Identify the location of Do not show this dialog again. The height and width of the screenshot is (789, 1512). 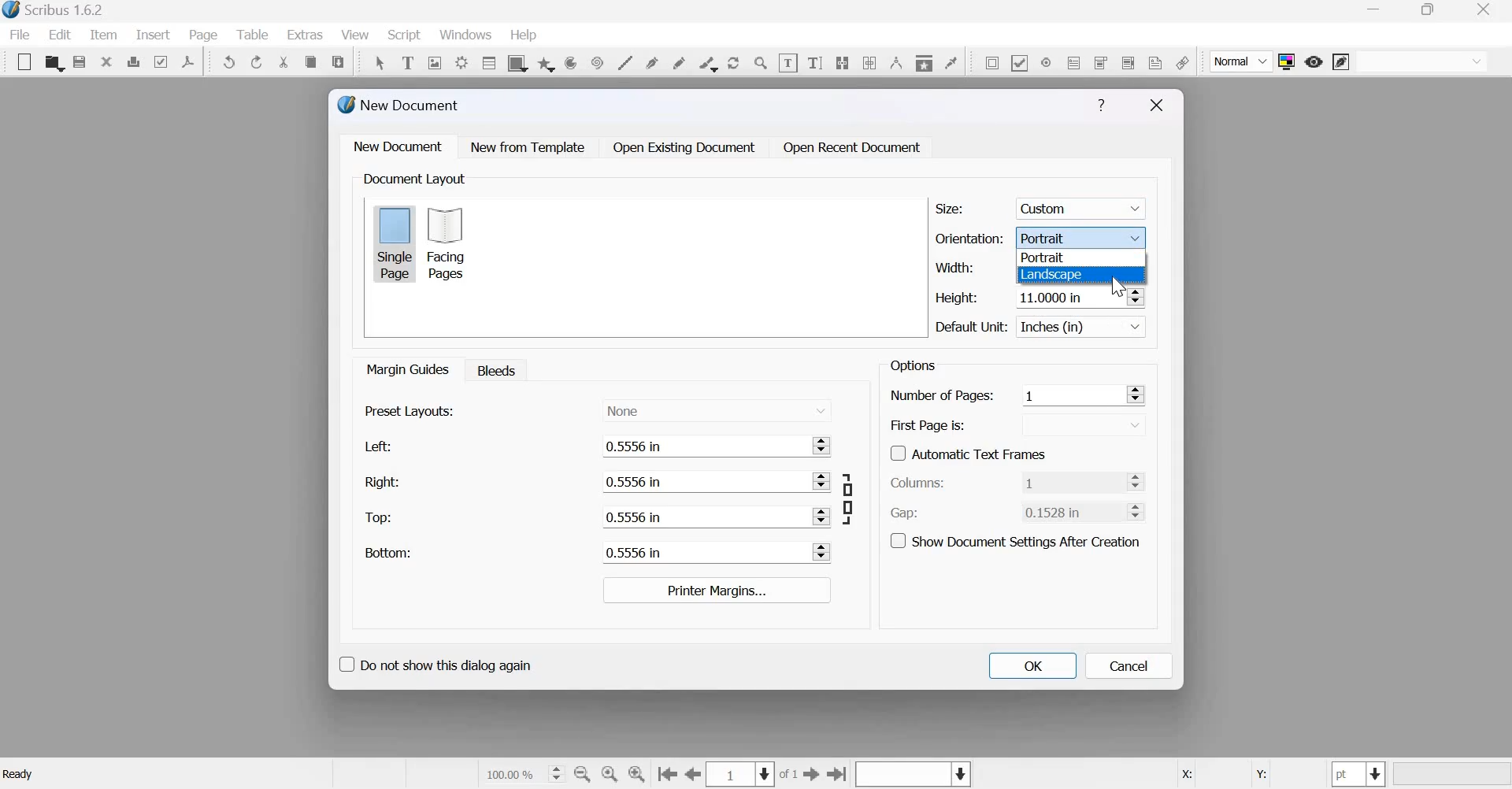
(434, 662).